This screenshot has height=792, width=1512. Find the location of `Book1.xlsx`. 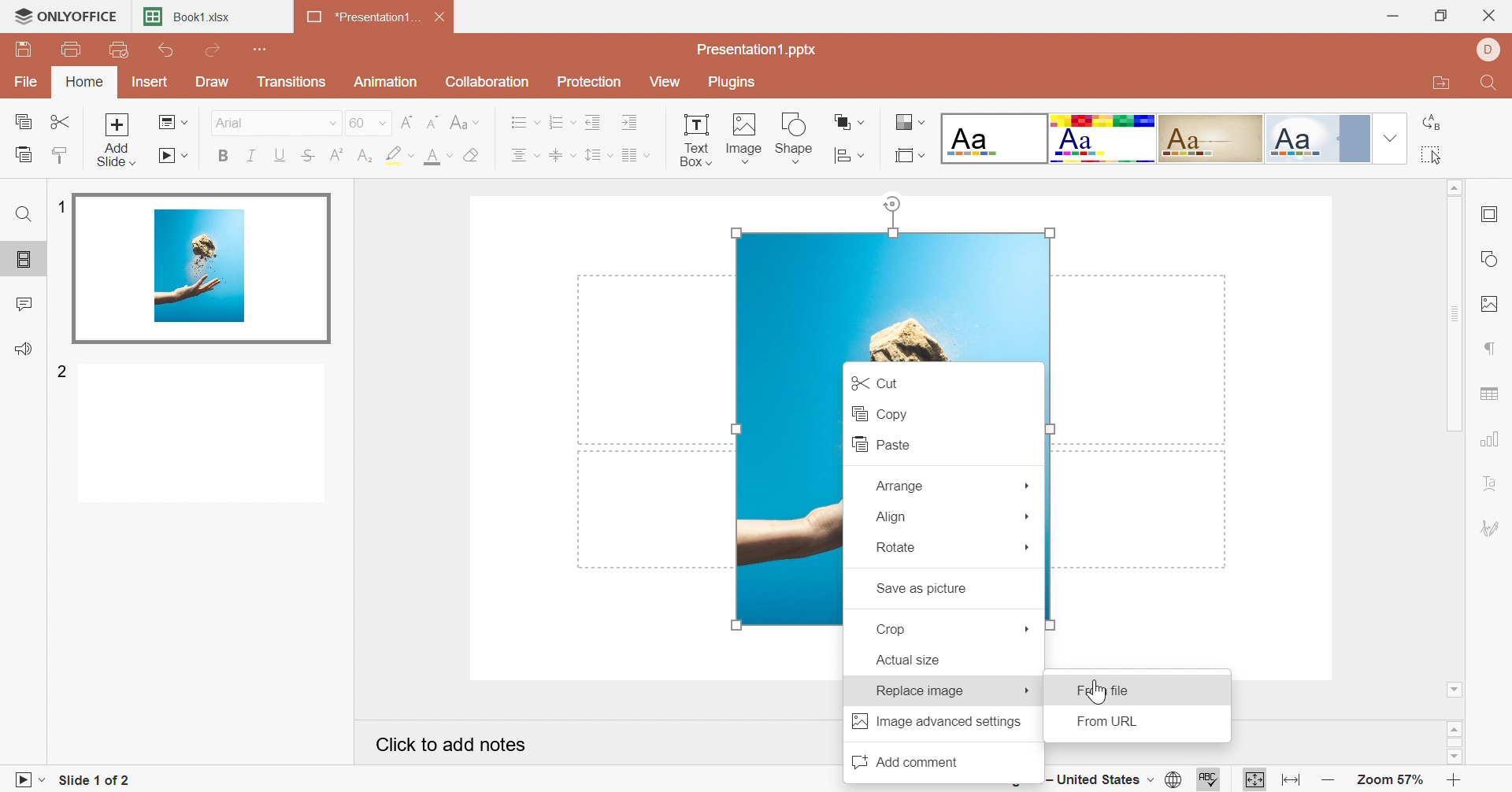

Book1.xlsx is located at coordinates (193, 16).